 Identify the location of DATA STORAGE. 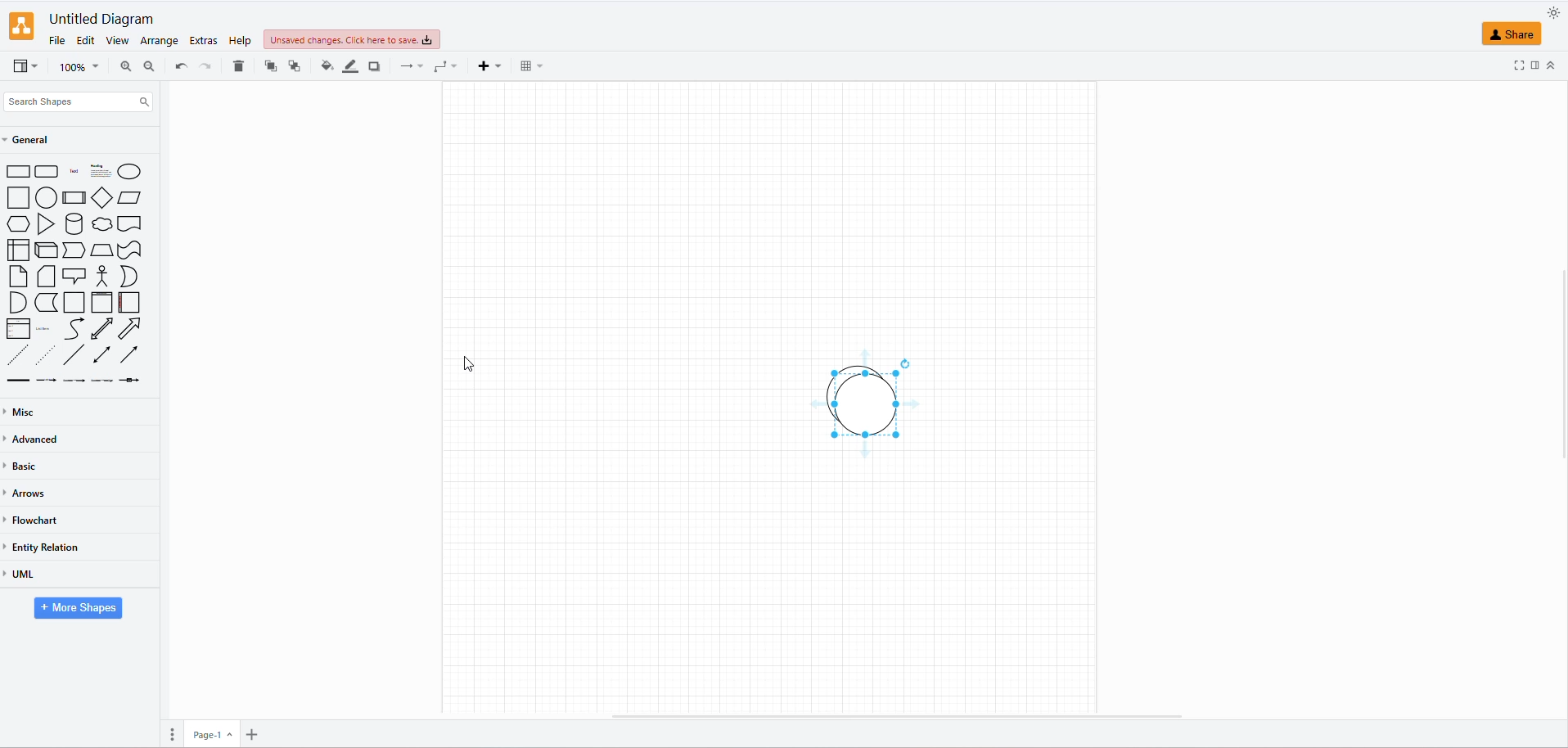
(47, 301).